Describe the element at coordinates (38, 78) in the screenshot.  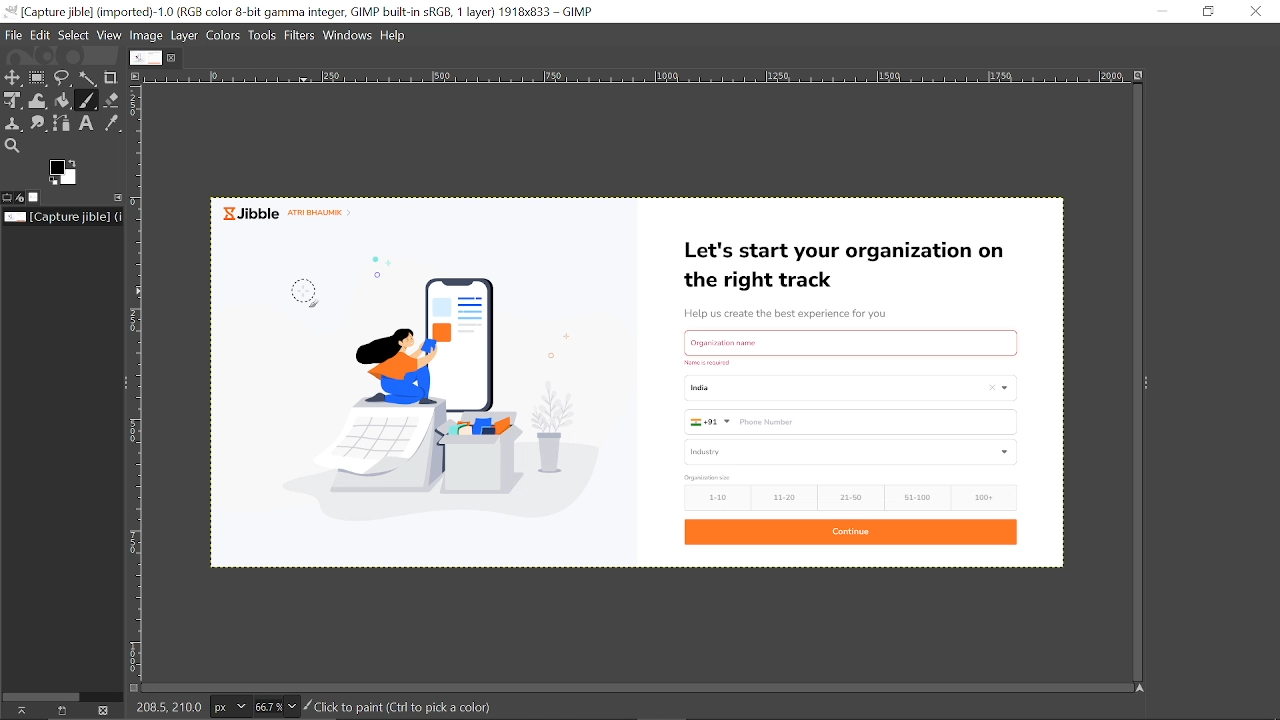
I see `Rectangular select tool` at that location.